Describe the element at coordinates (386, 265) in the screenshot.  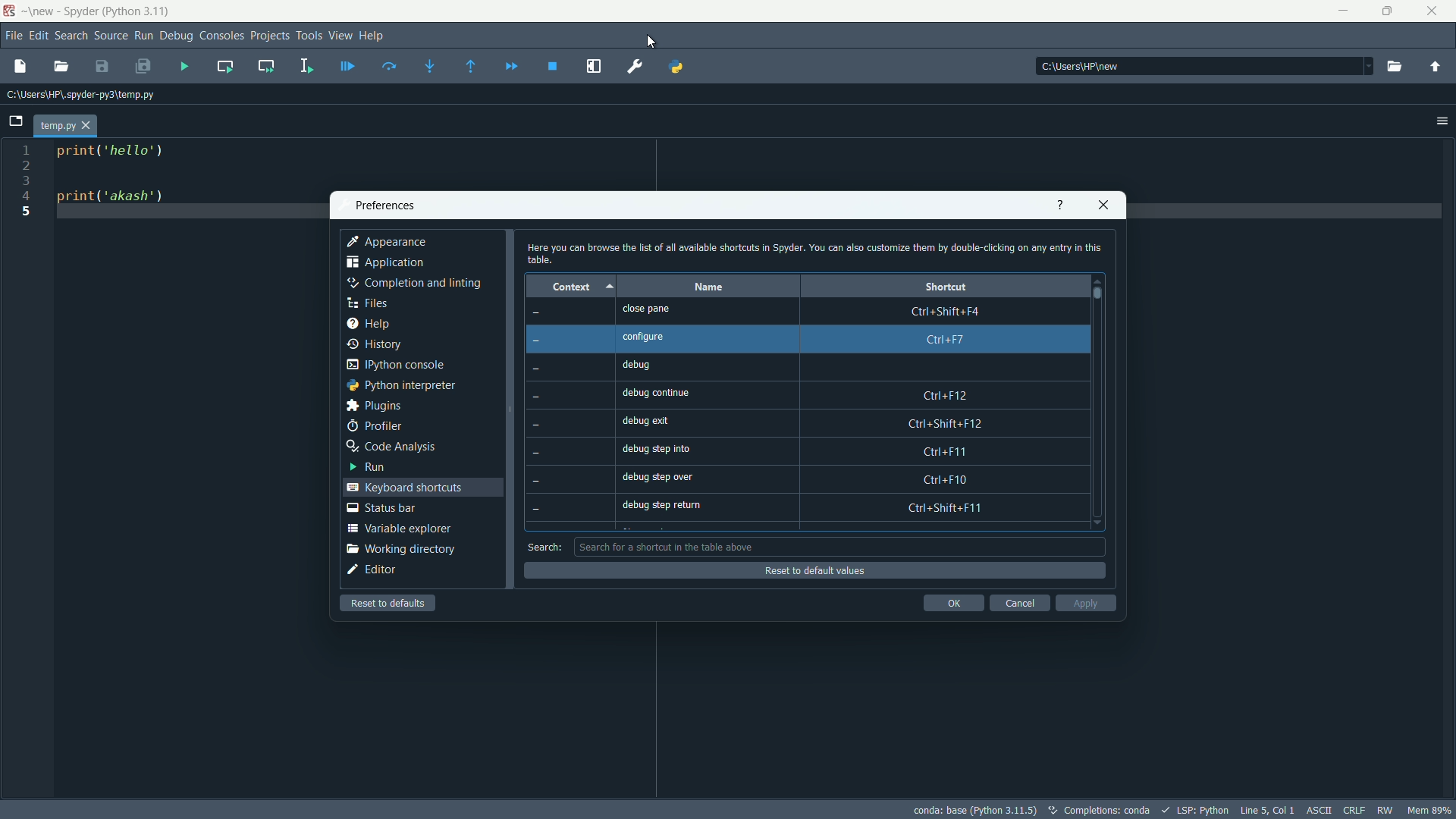
I see `application` at that location.